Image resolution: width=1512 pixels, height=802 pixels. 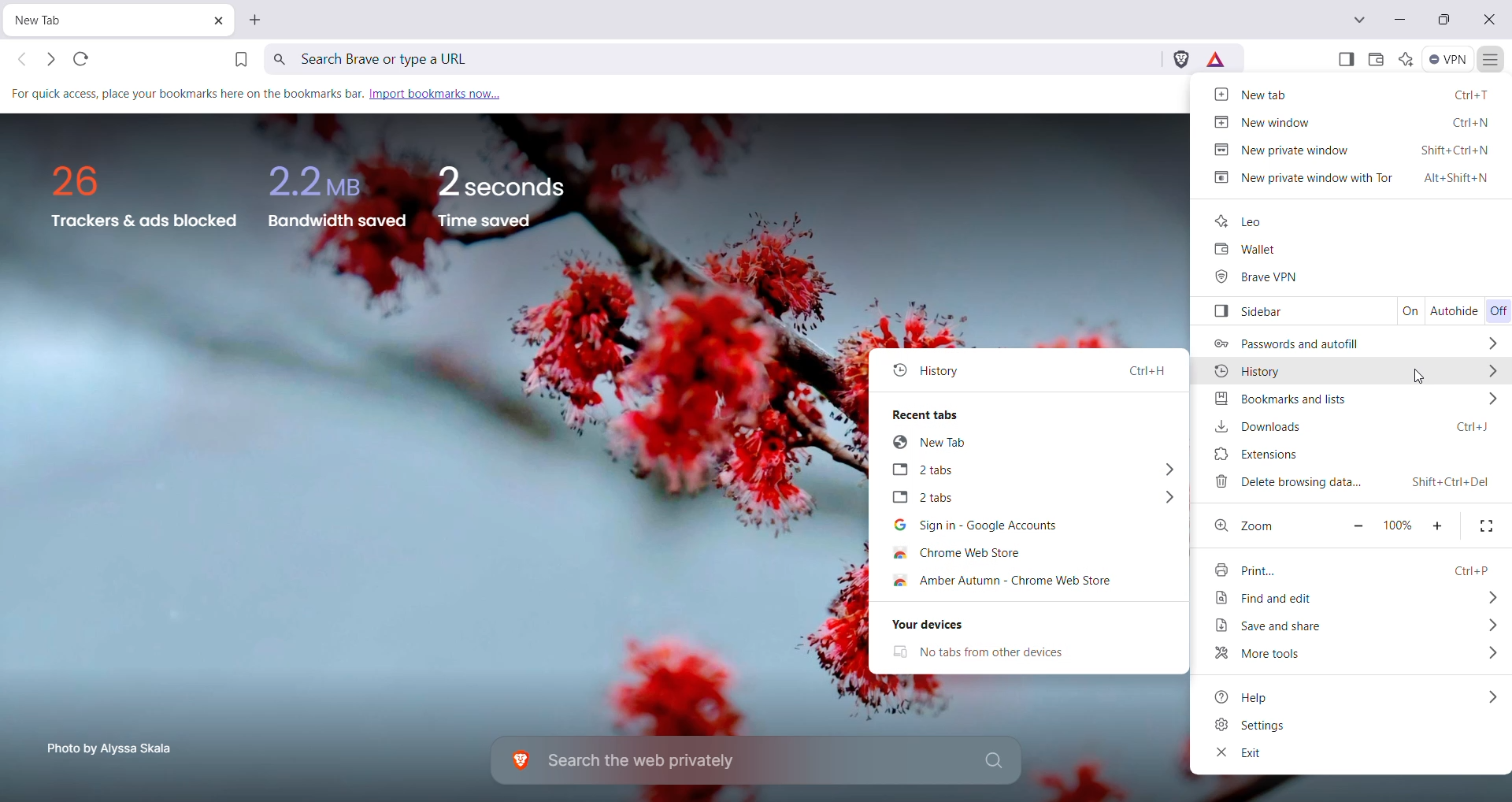 What do you see at coordinates (18, 61) in the screenshot?
I see `Click to go back, hold to see history` at bounding box center [18, 61].